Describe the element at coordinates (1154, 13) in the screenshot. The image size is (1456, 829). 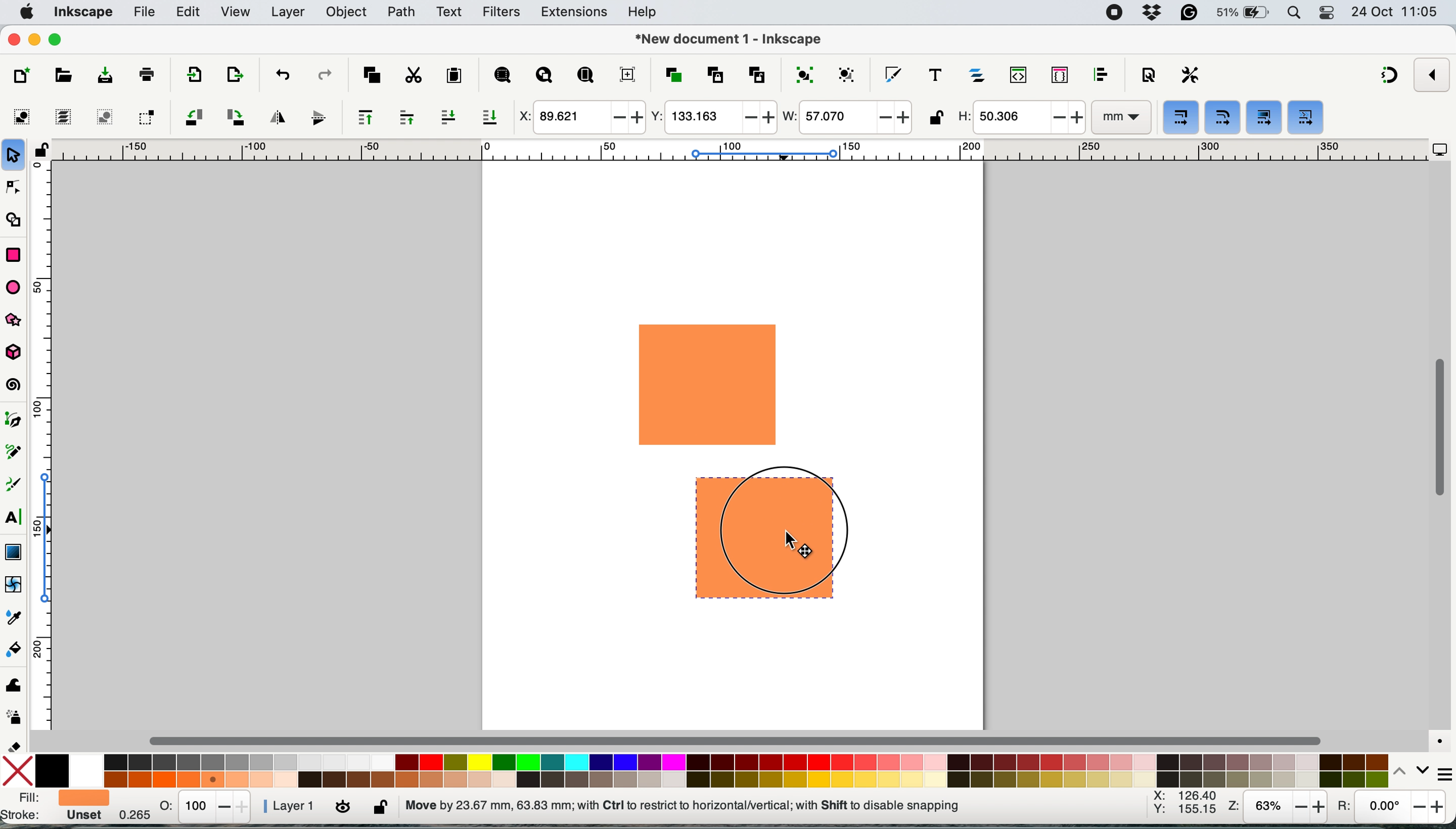
I see `dropbox` at that location.